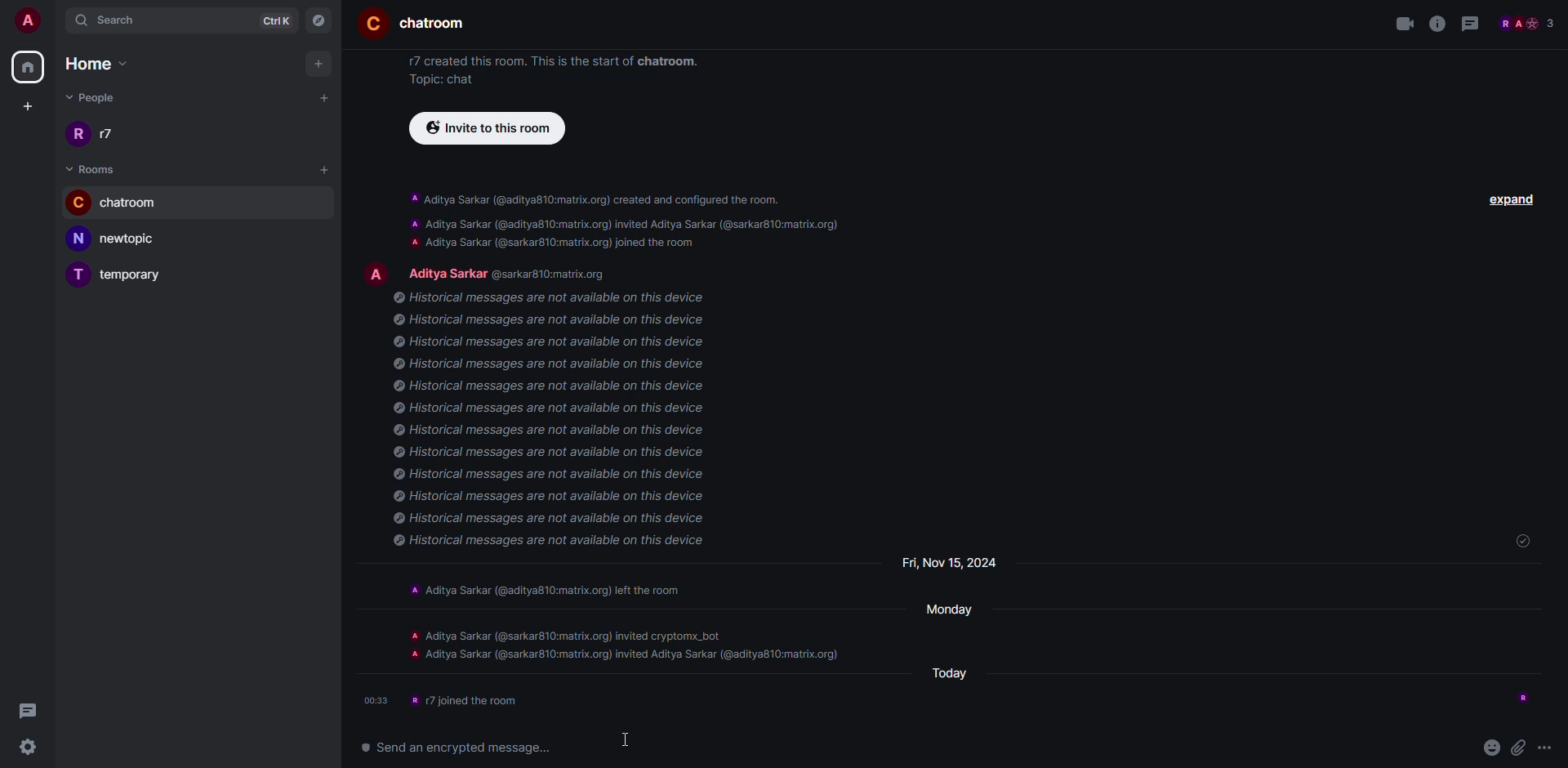  Describe the element at coordinates (1437, 24) in the screenshot. I see `info` at that location.